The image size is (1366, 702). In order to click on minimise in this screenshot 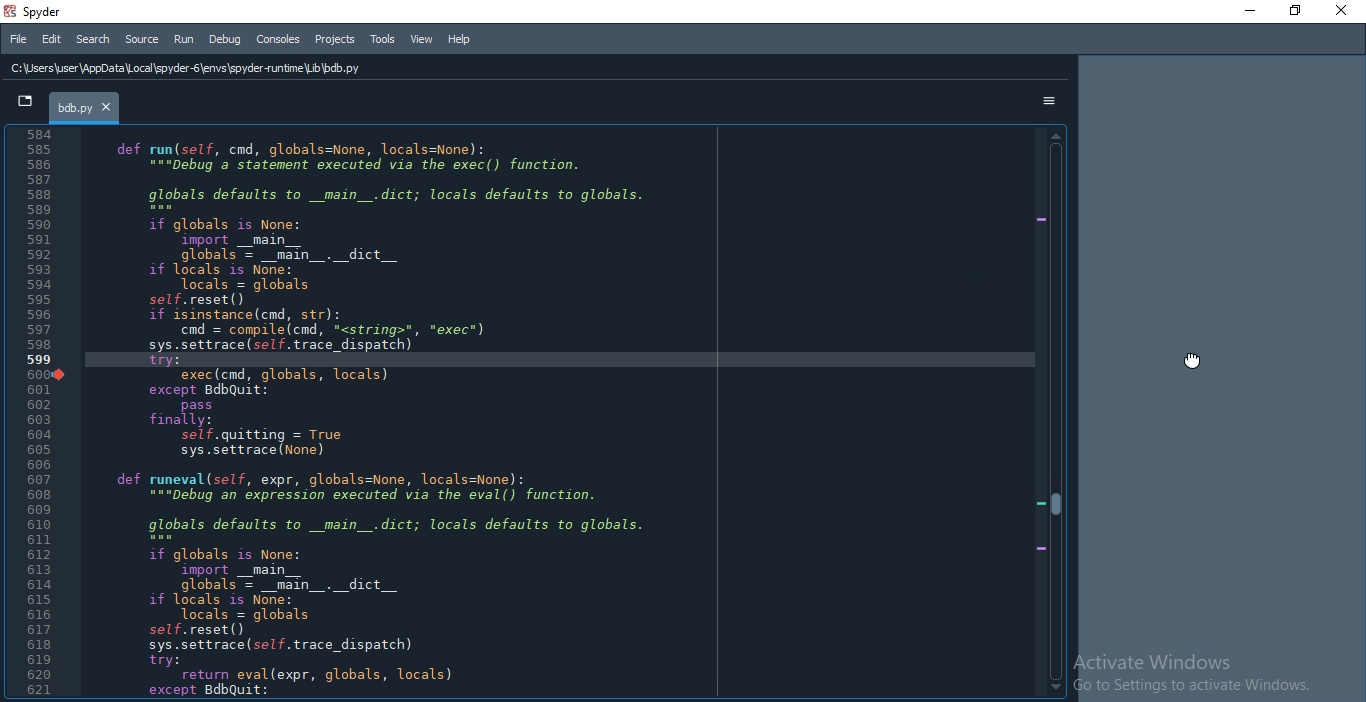, I will do `click(1248, 13)`.